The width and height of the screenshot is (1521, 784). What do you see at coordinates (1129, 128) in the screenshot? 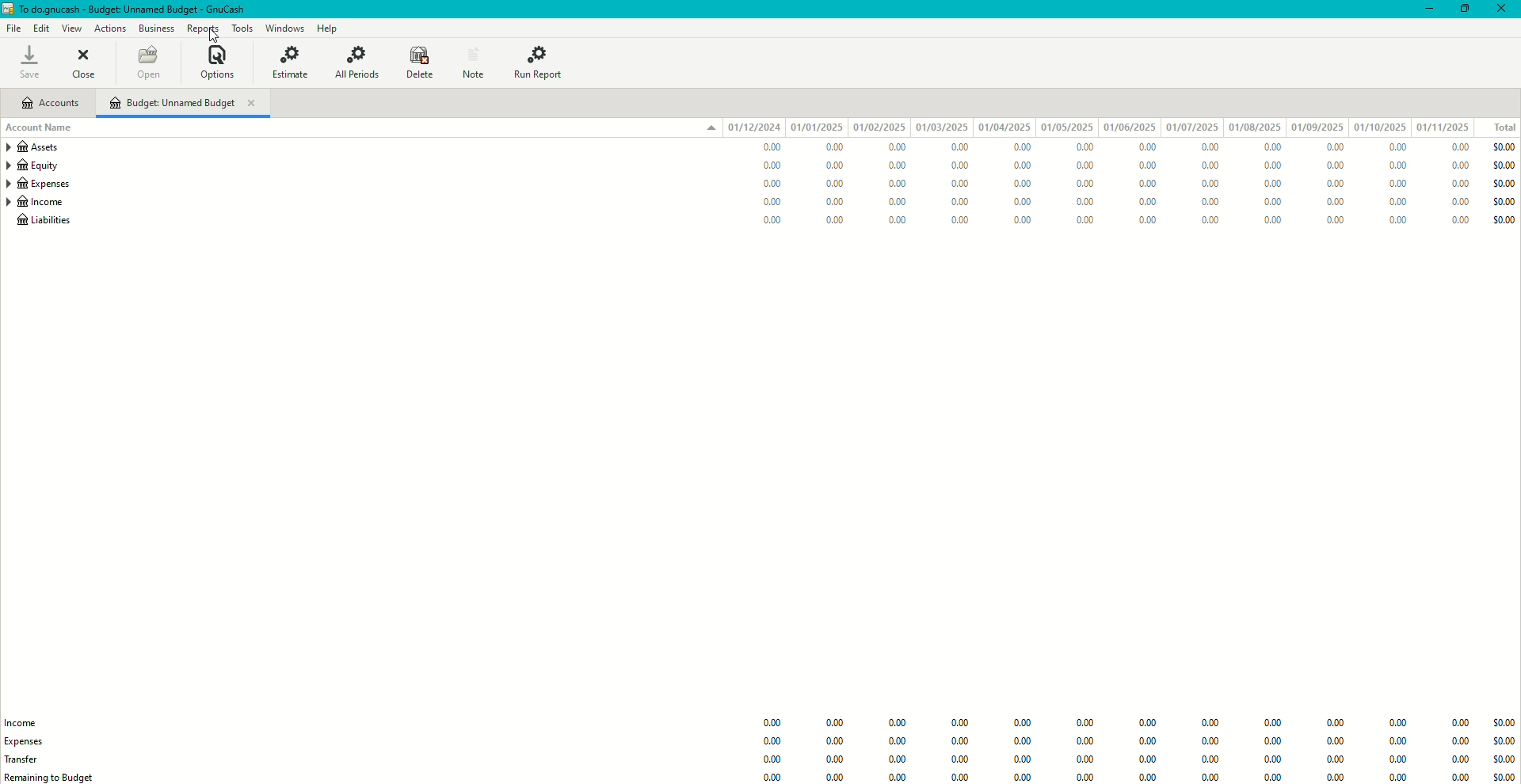
I see `01/06/2025` at bounding box center [1129, 128].